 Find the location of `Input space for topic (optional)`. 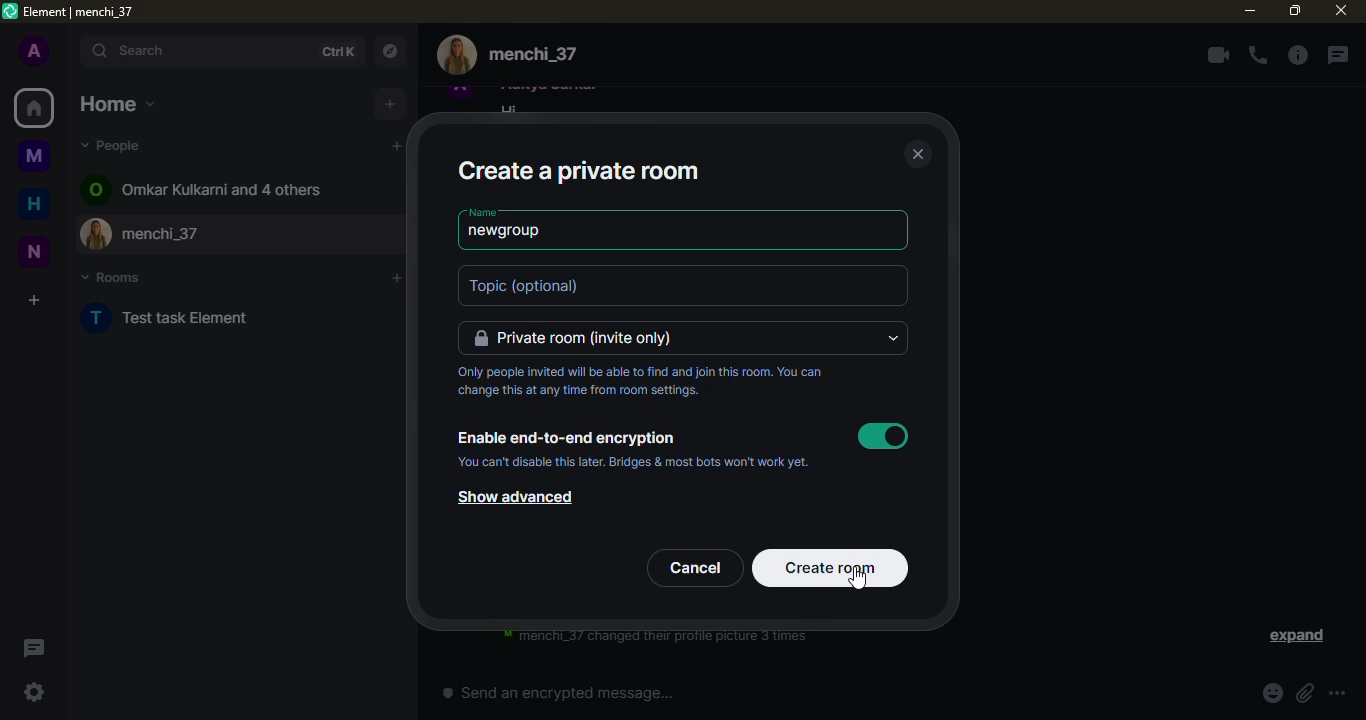

Input space for topic (optional) is located at coordinates (683, 285).